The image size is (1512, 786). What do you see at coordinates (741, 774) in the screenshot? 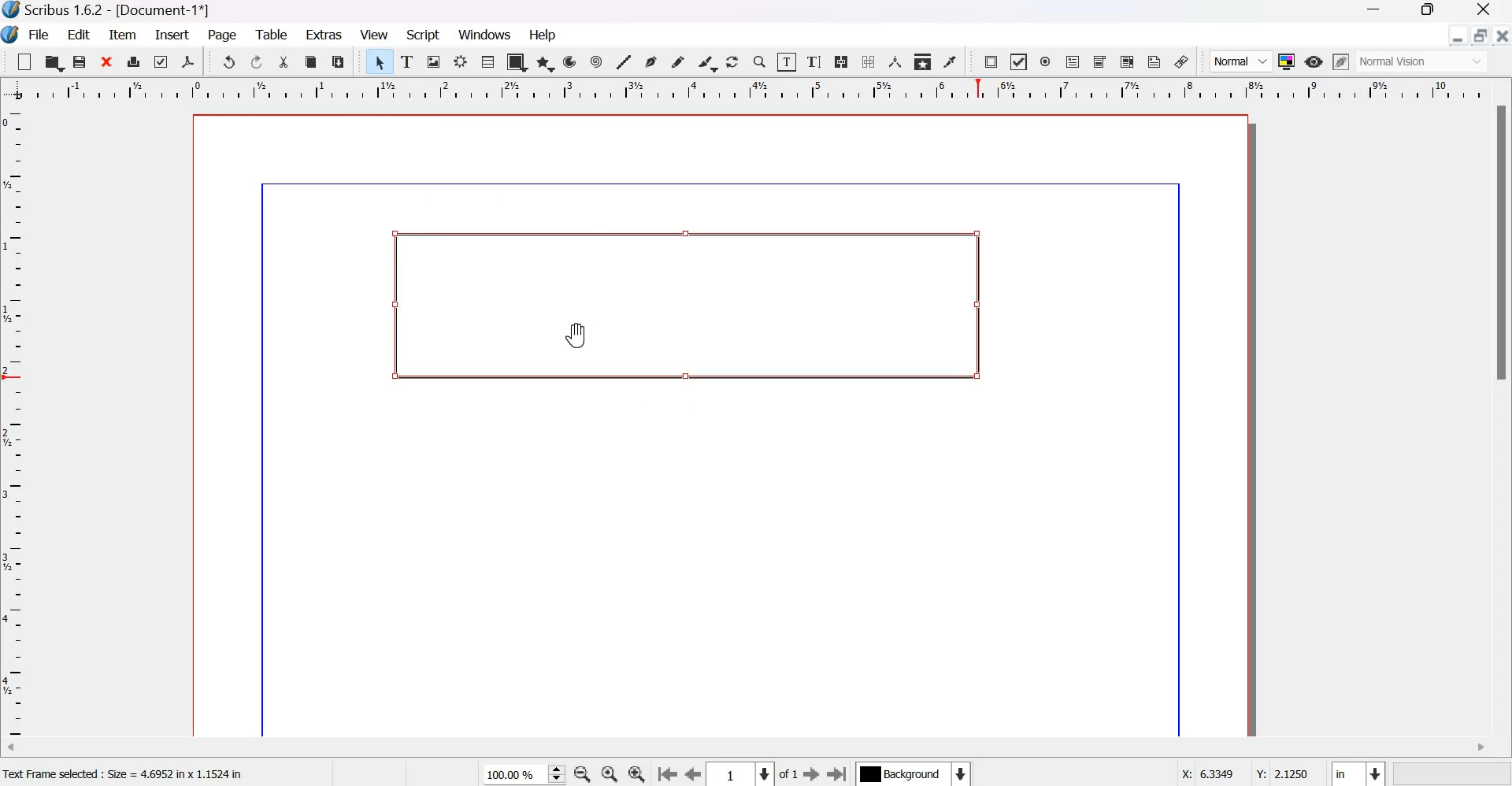
I see `Select the current page` at bounding box center [741, 774].